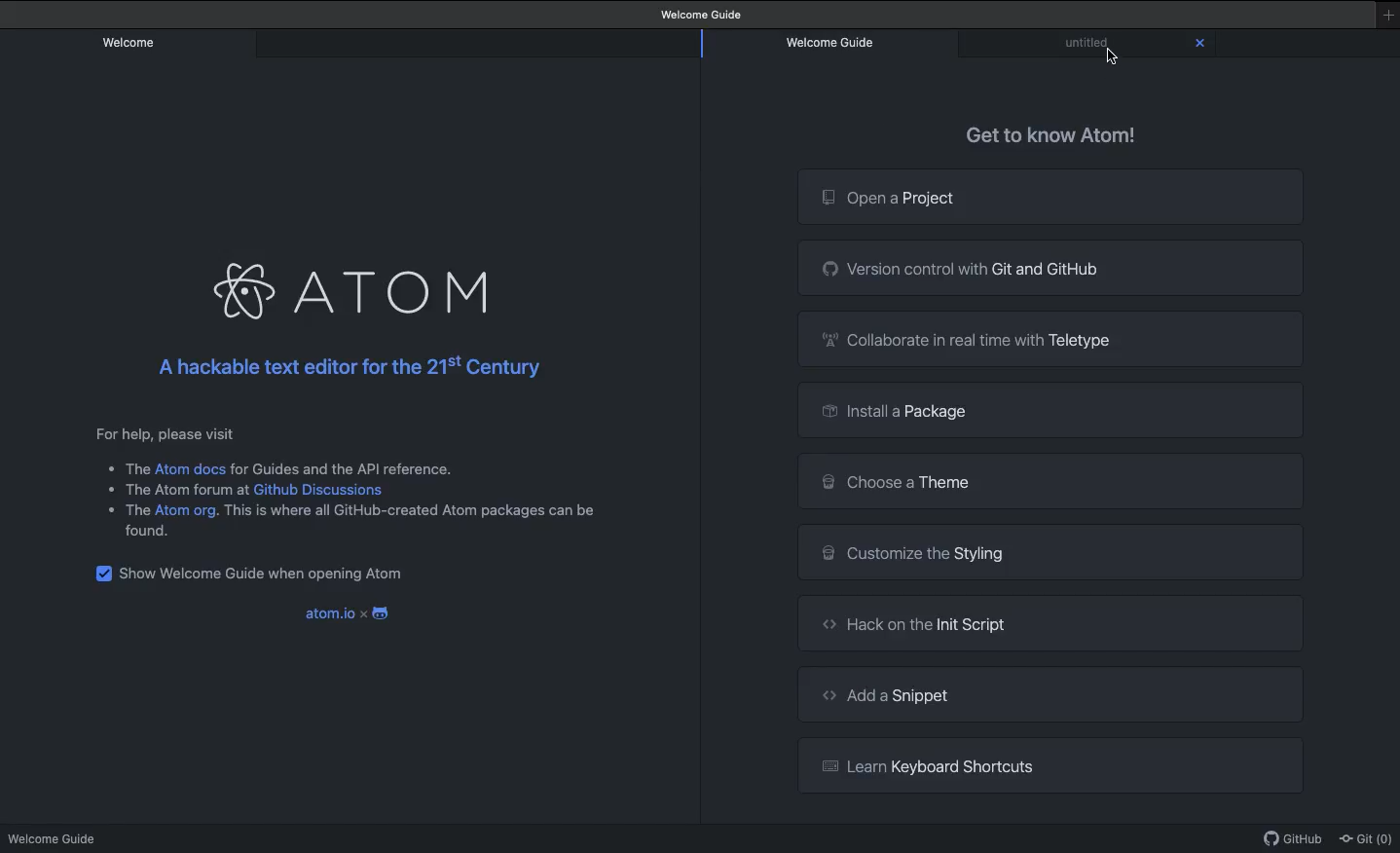 The image size is (1400, 853). What do you see at coordinates (1054, 339) in the screenshot?
I see `Collaborate in real time with teletype` at bounding box center [1054, 339].